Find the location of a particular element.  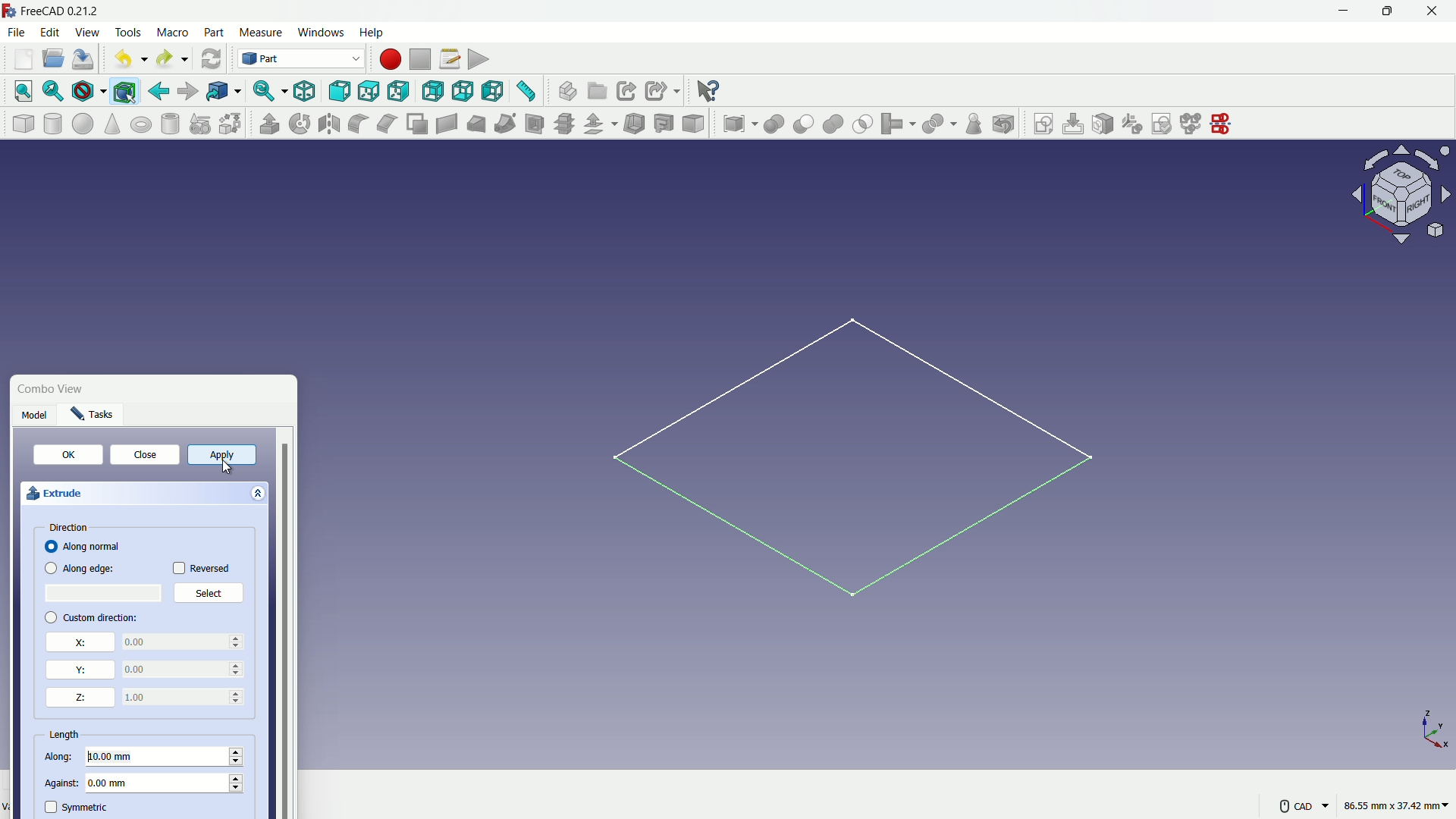

redo is located at coordinates (171, 58).